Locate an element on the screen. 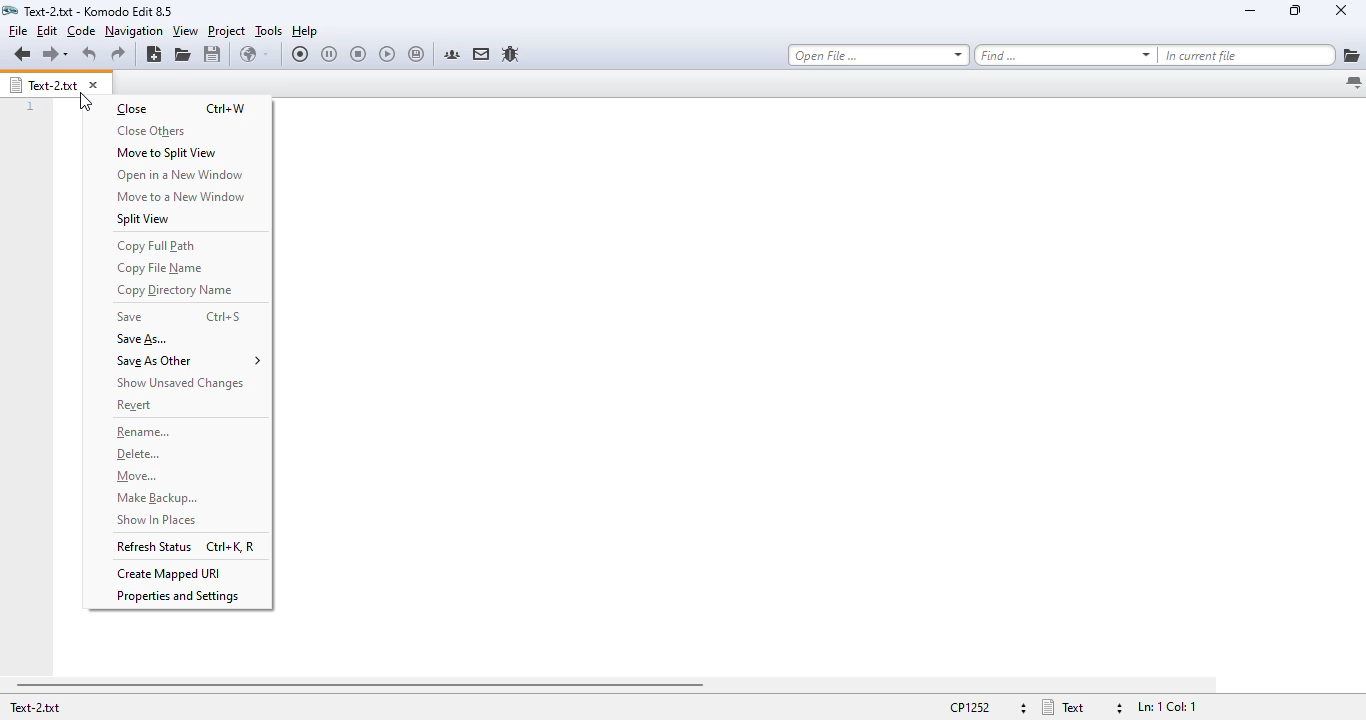 This screenshot has width=1366, height=720. revert is located at coordinates (137, 406).